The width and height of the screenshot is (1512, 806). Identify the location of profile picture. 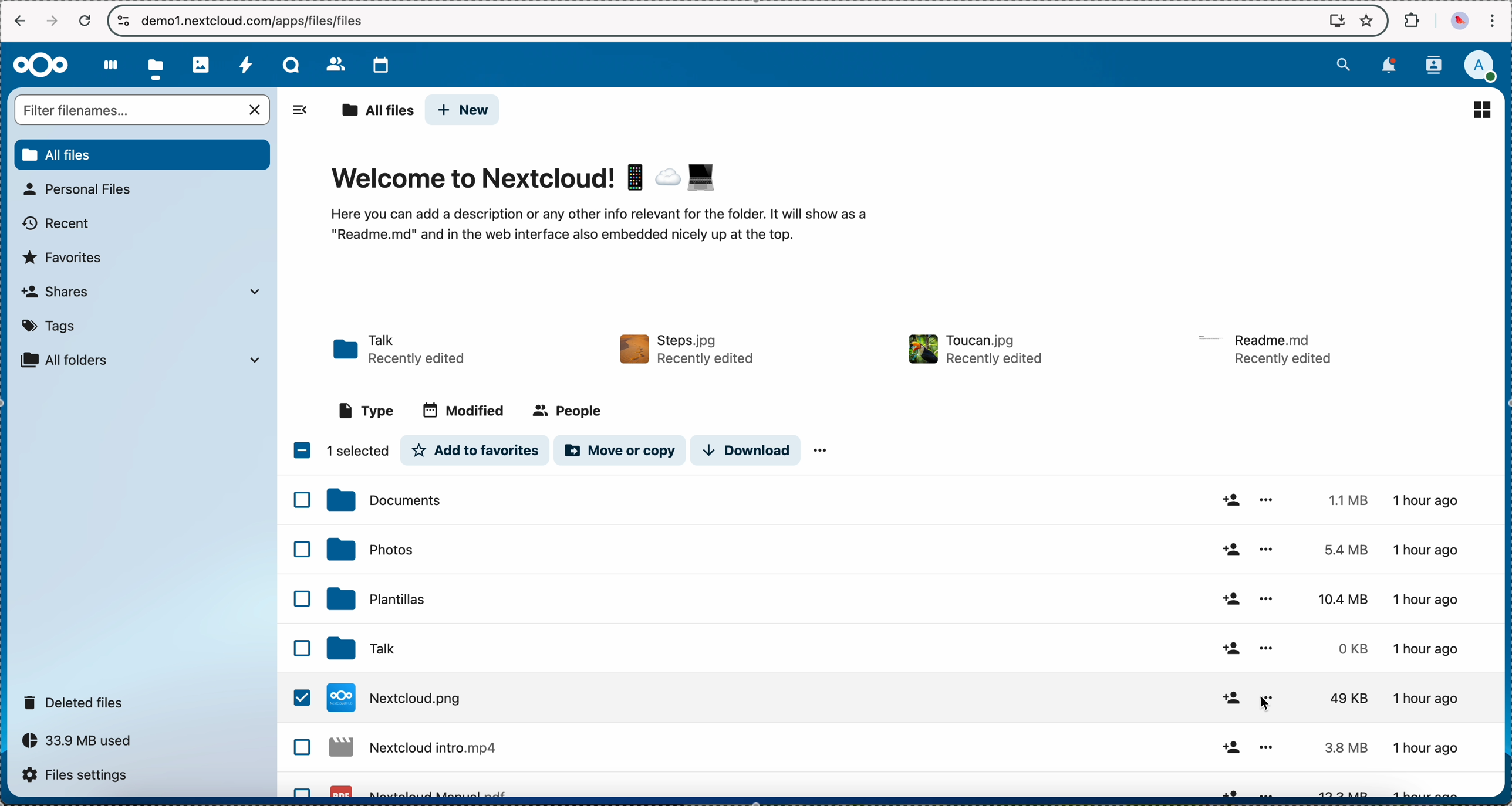
(1458, 21).